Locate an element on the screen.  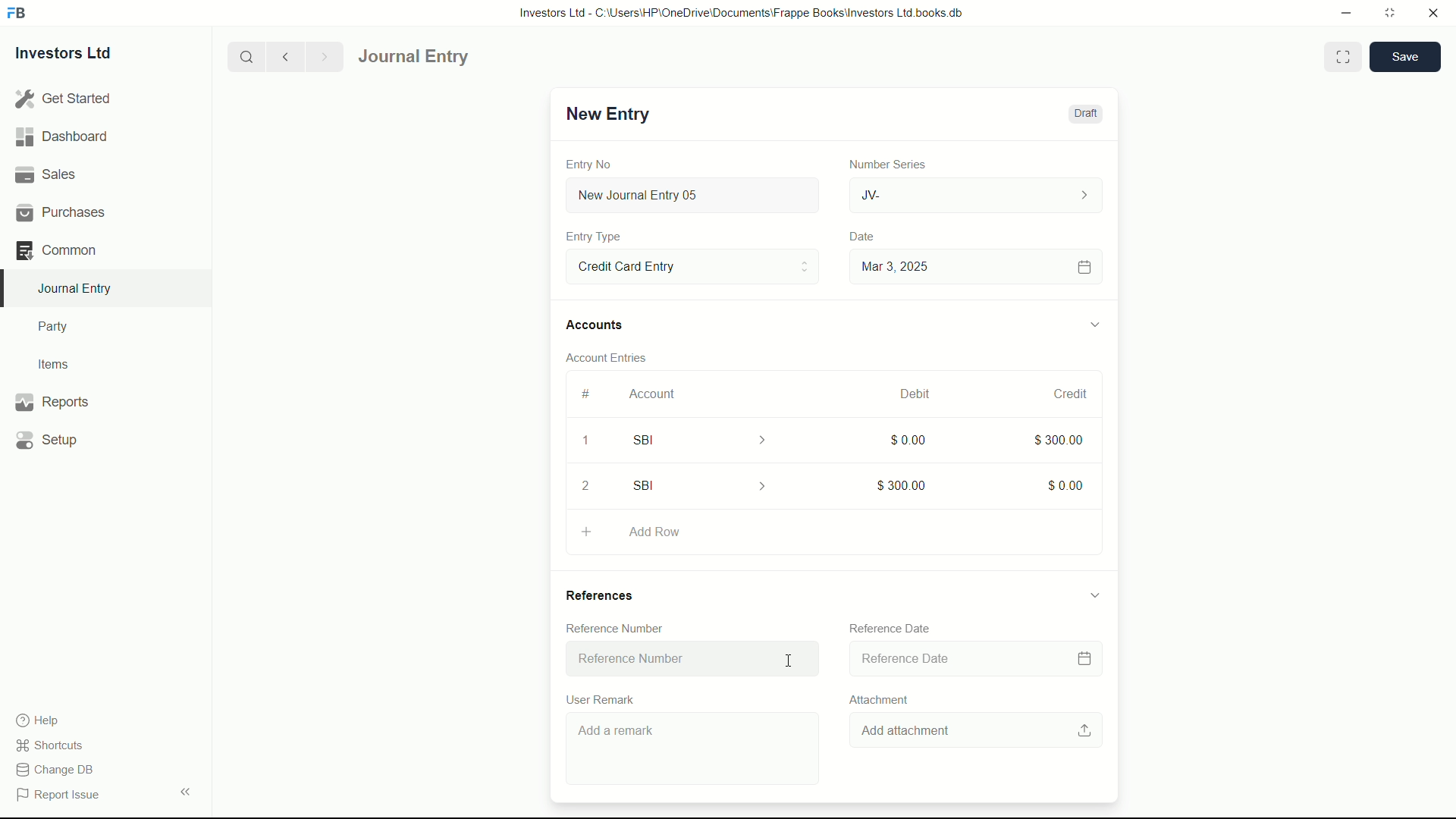
save is located at coordinates (1406, 57).